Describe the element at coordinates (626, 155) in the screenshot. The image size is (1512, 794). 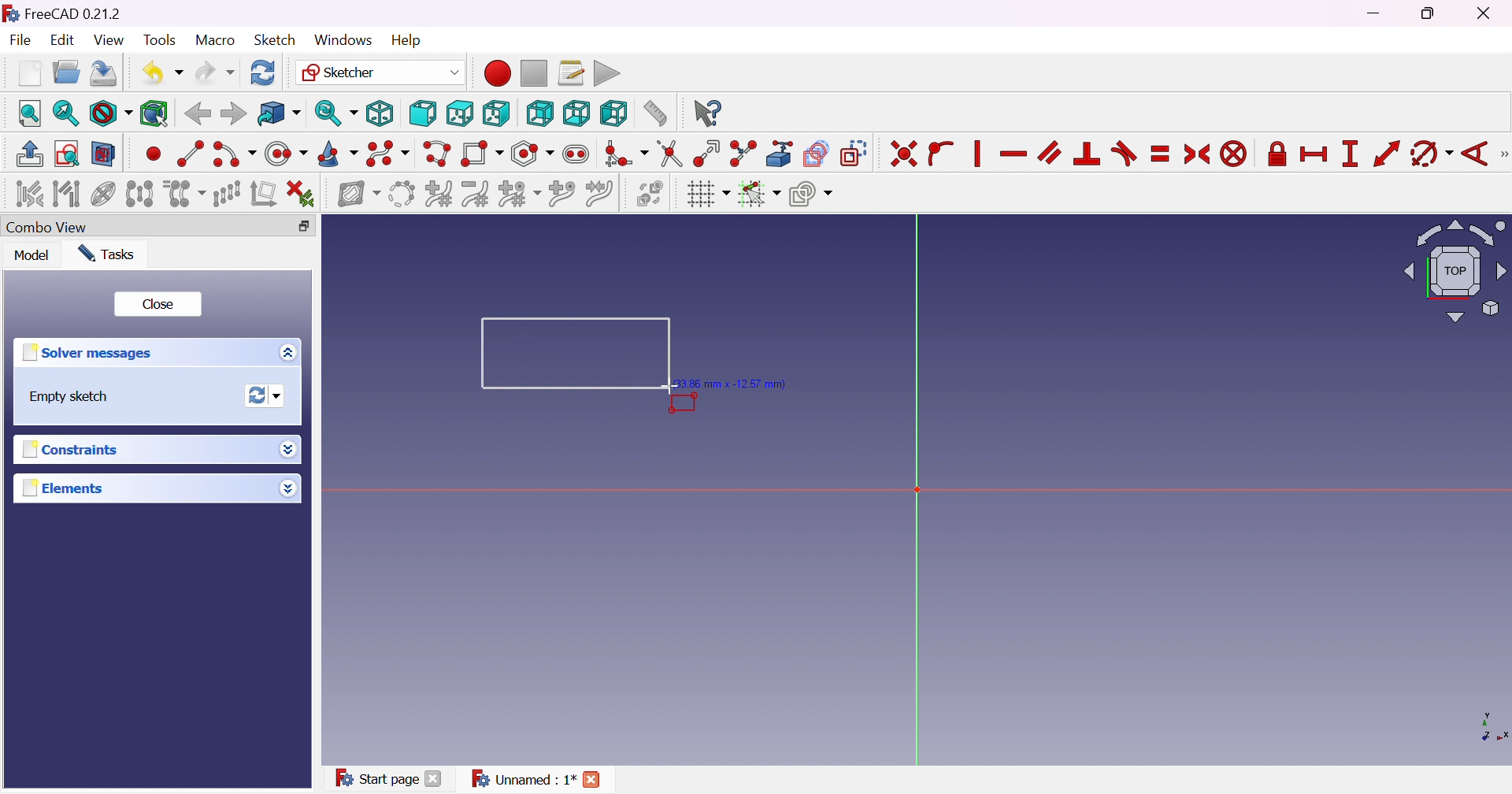
I see `Create fillet` at that location.